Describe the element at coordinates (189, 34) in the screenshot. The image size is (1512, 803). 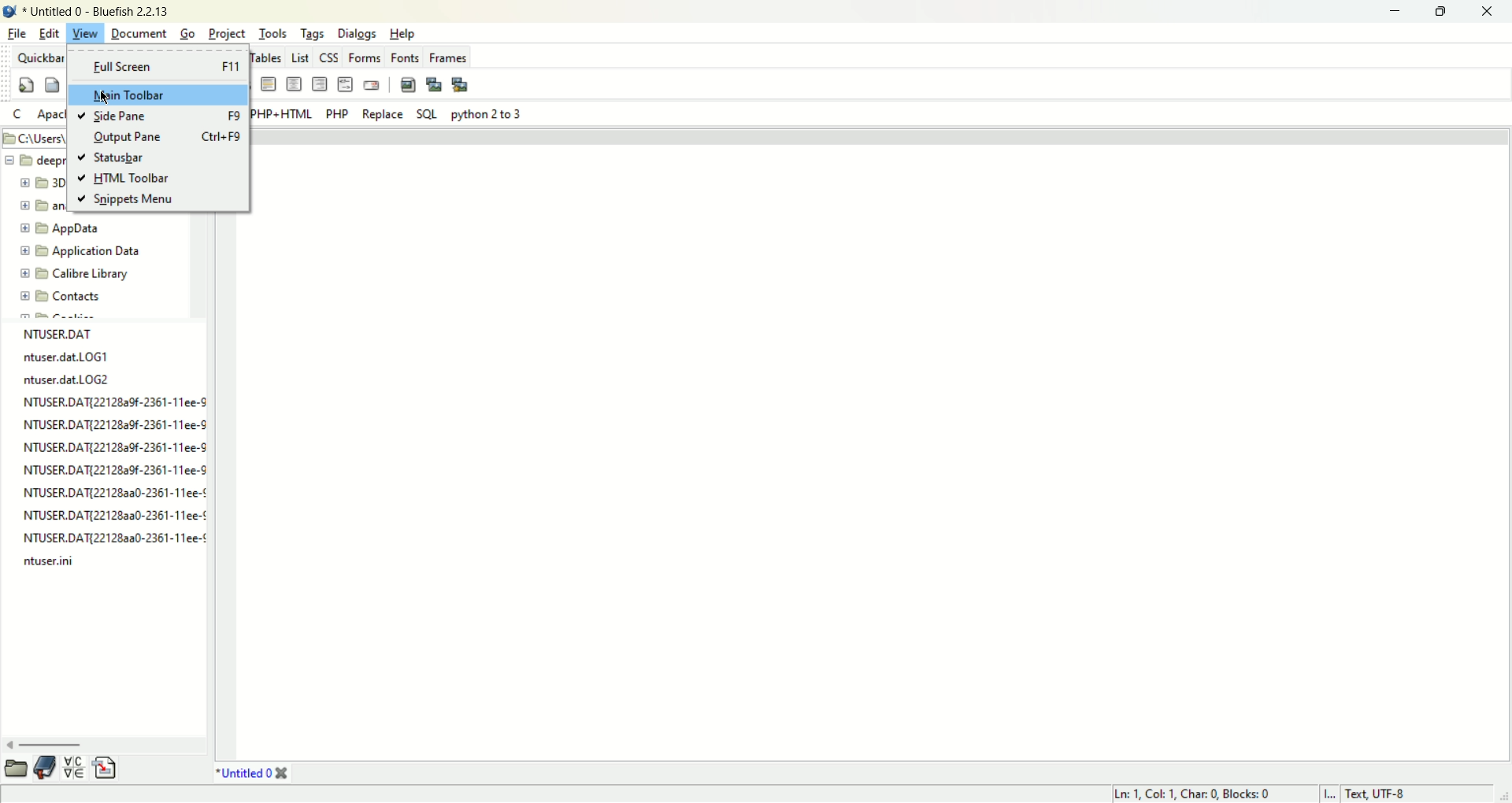
I see `go` at that location.